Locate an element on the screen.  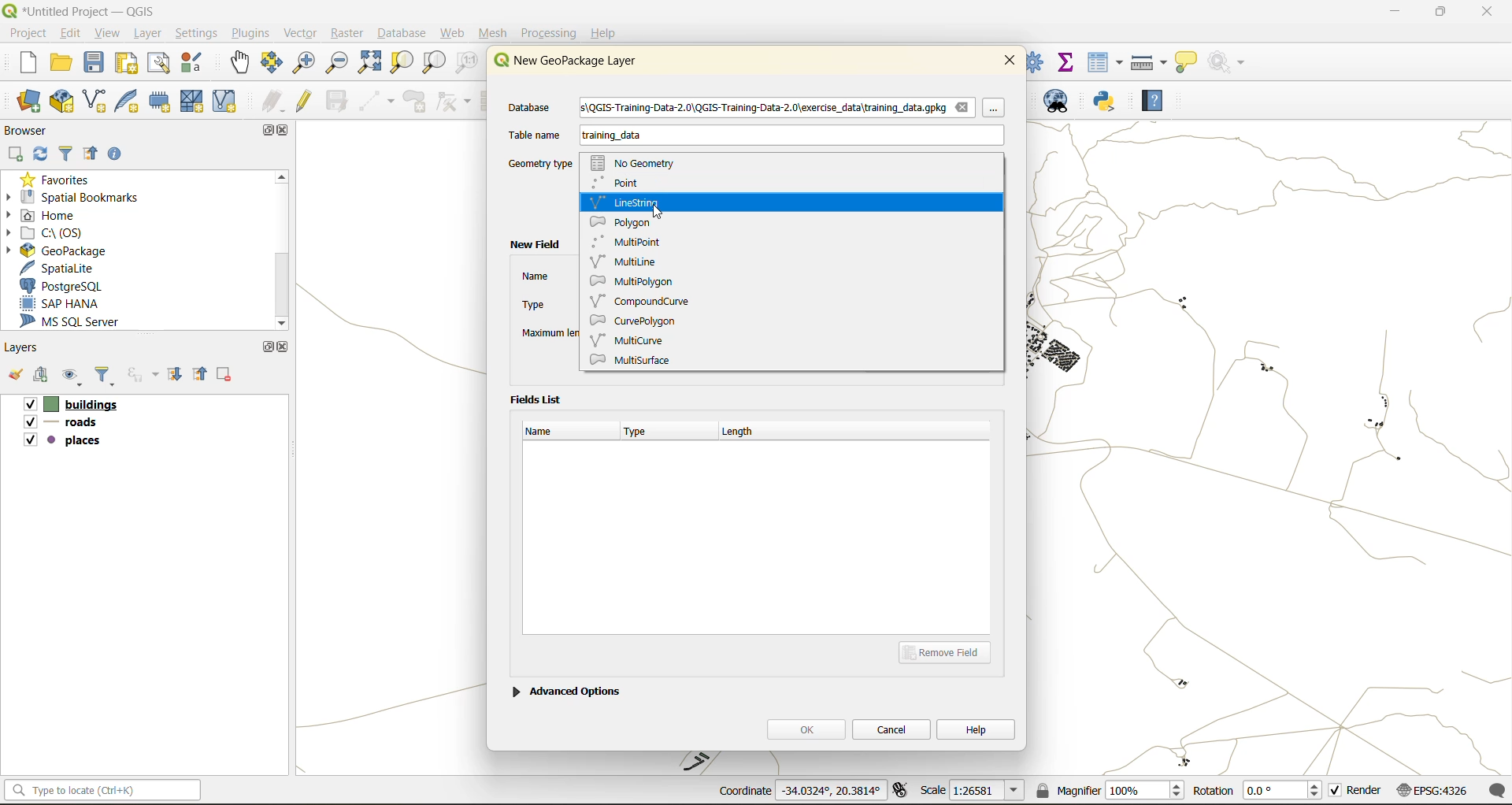
polygon is located at coordinates (628, 220).